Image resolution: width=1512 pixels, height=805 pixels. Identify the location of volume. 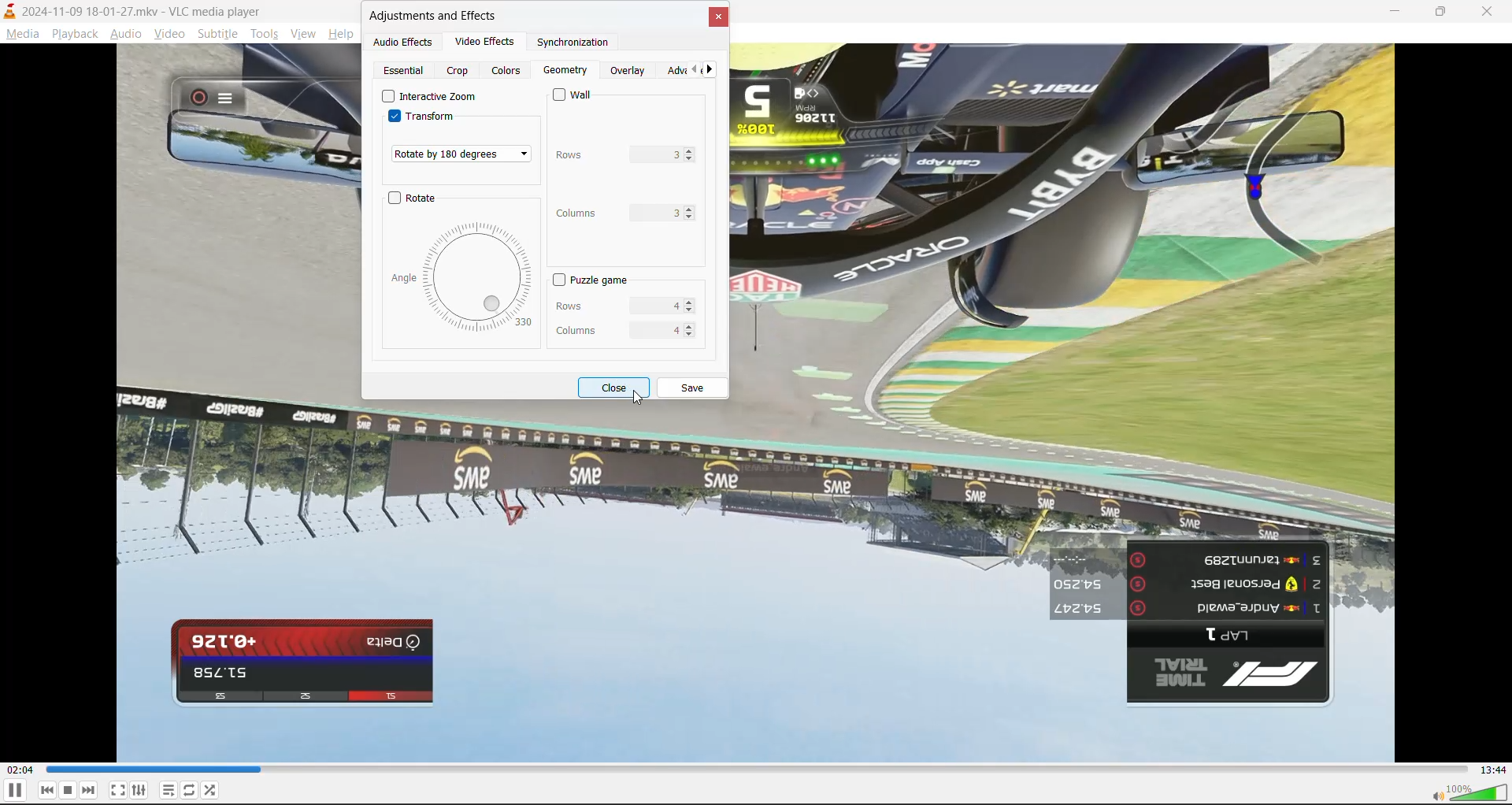
(1471, 794).